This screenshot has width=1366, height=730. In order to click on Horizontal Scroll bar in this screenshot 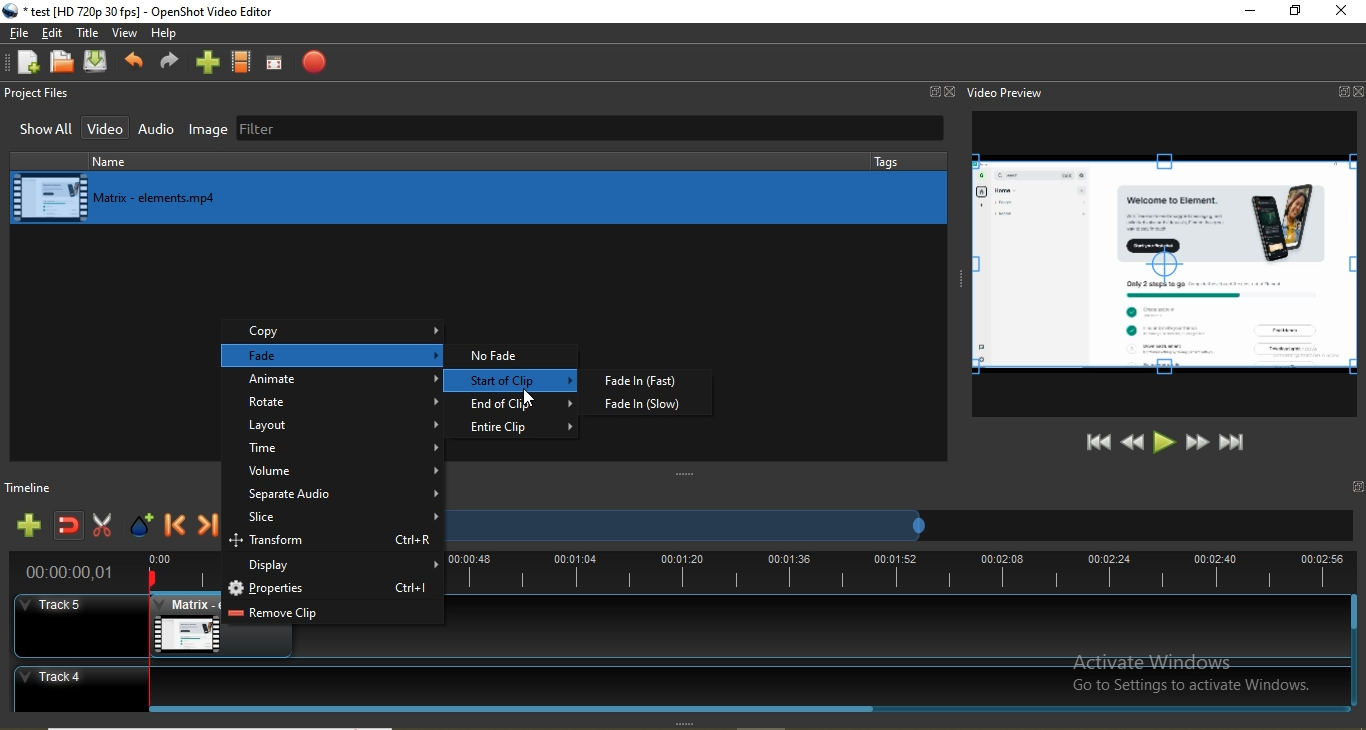, I will do `click(520, 712)`.